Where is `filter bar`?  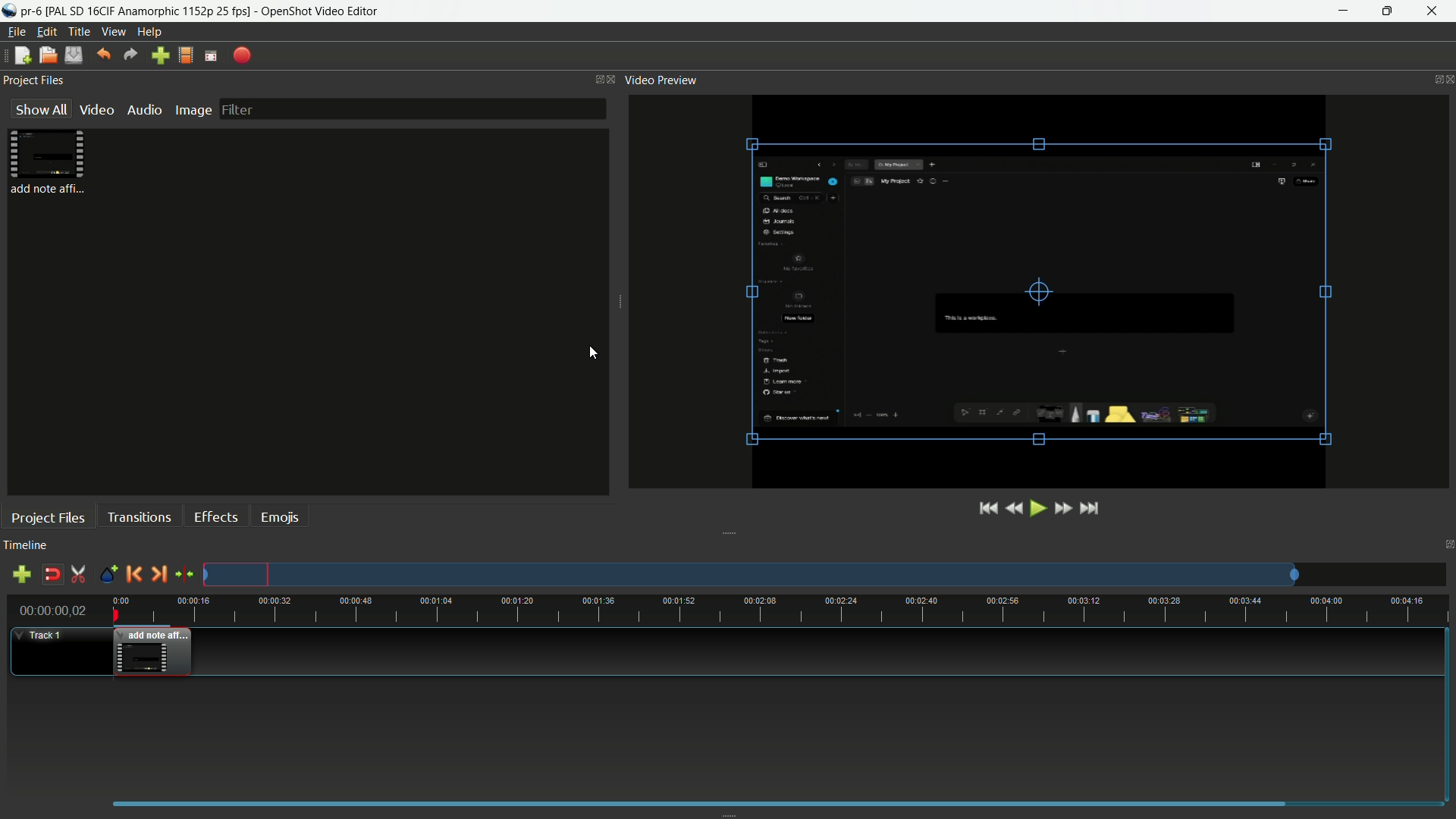 filter bar is located at coordinates (412, 109).